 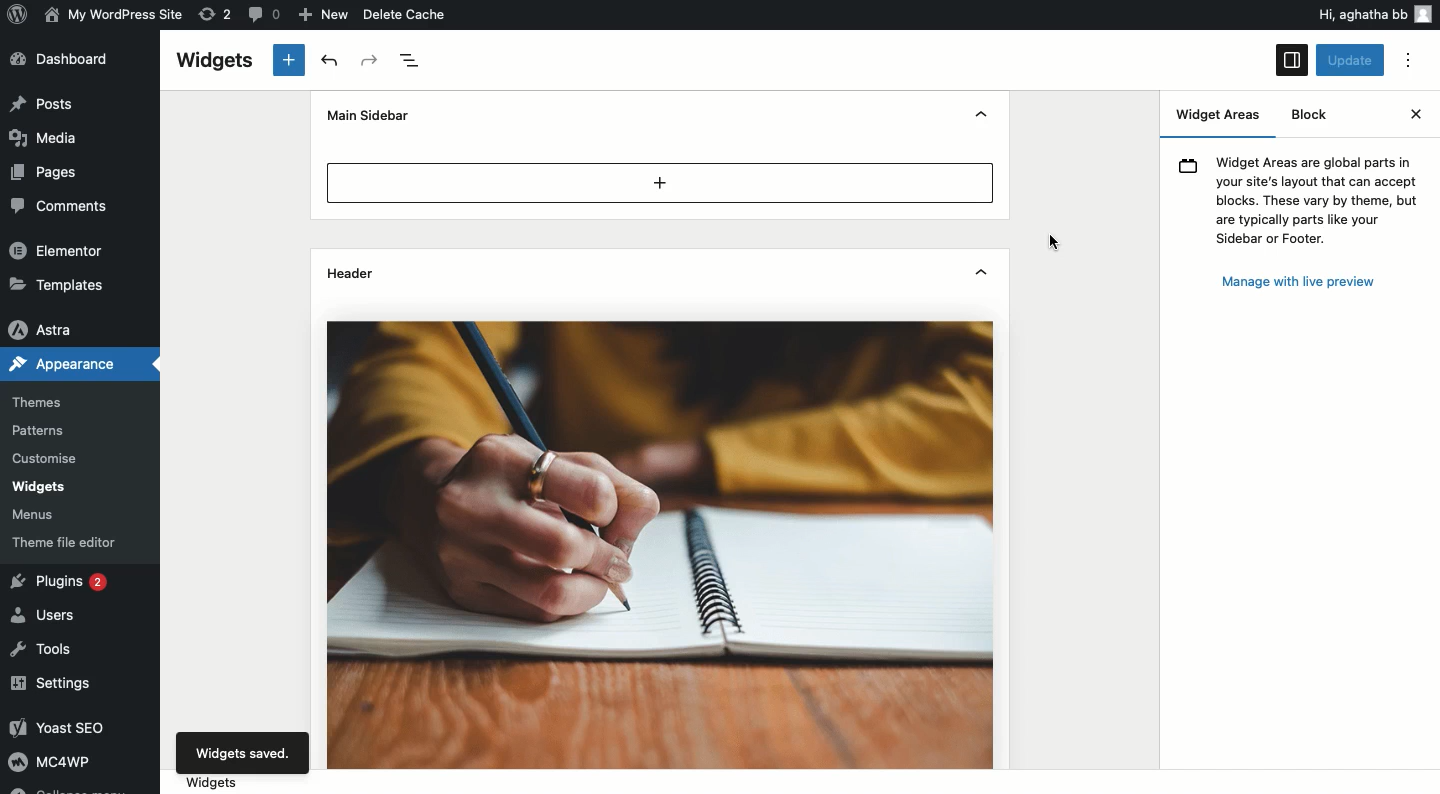 What do you see at coordinates (116, 13) in the screenshot?
I see `Name` at bounding box center [116, 13].